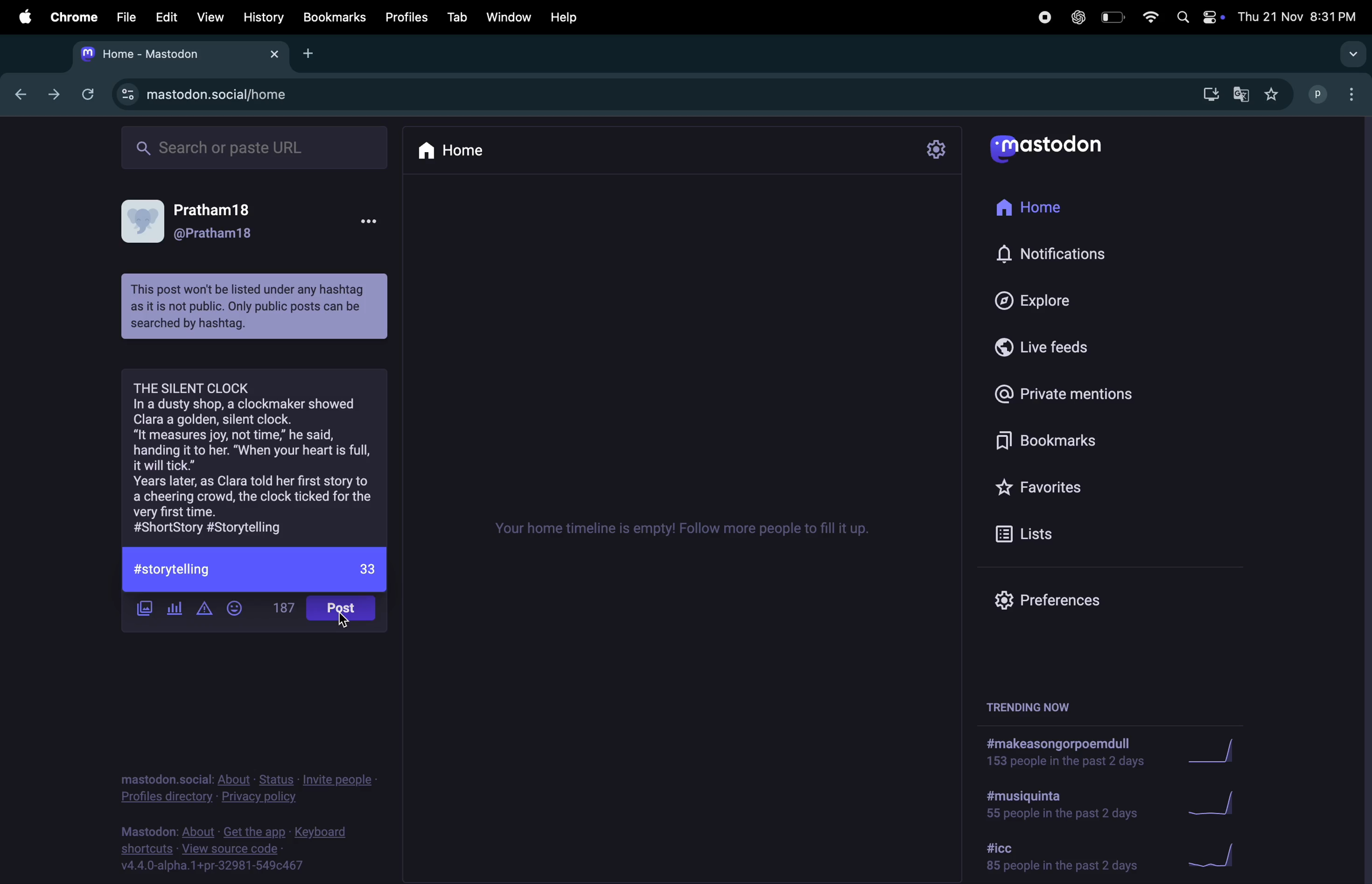  I want to click on emoji , so click(238, 608).